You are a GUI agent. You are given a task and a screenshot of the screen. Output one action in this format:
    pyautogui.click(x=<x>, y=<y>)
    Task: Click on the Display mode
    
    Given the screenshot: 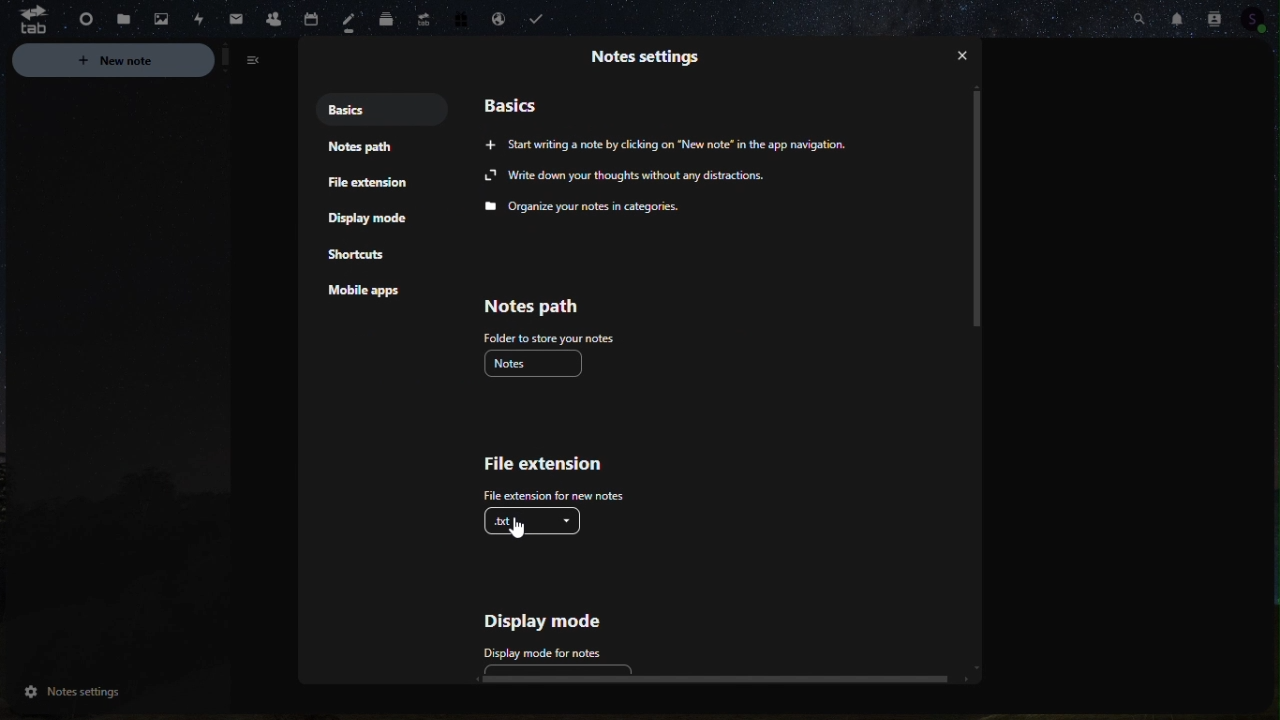 What is the action you would take?
    pyautogui.click(x=375, y=220)
    